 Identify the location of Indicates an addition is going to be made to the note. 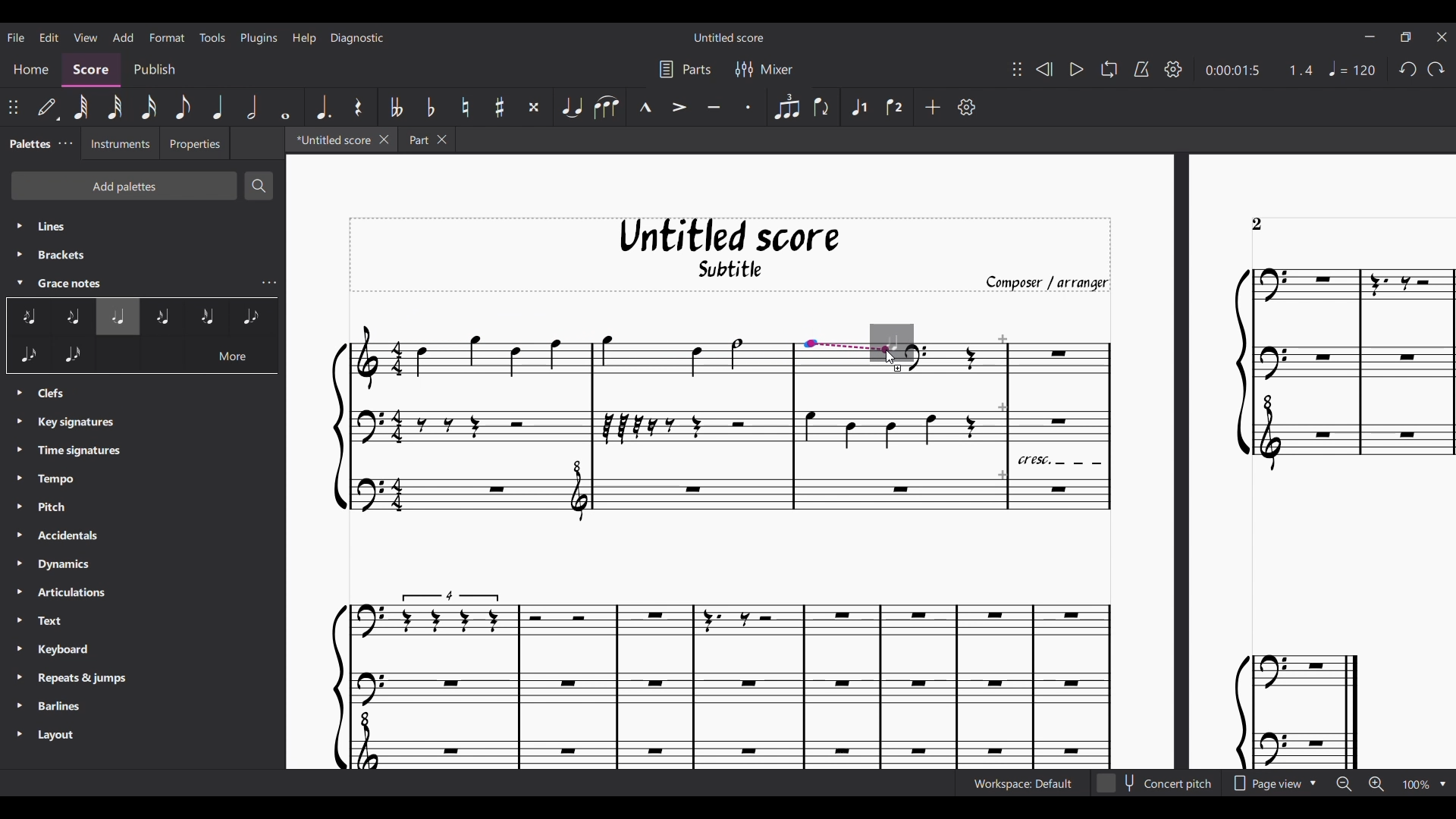
(899, 369).